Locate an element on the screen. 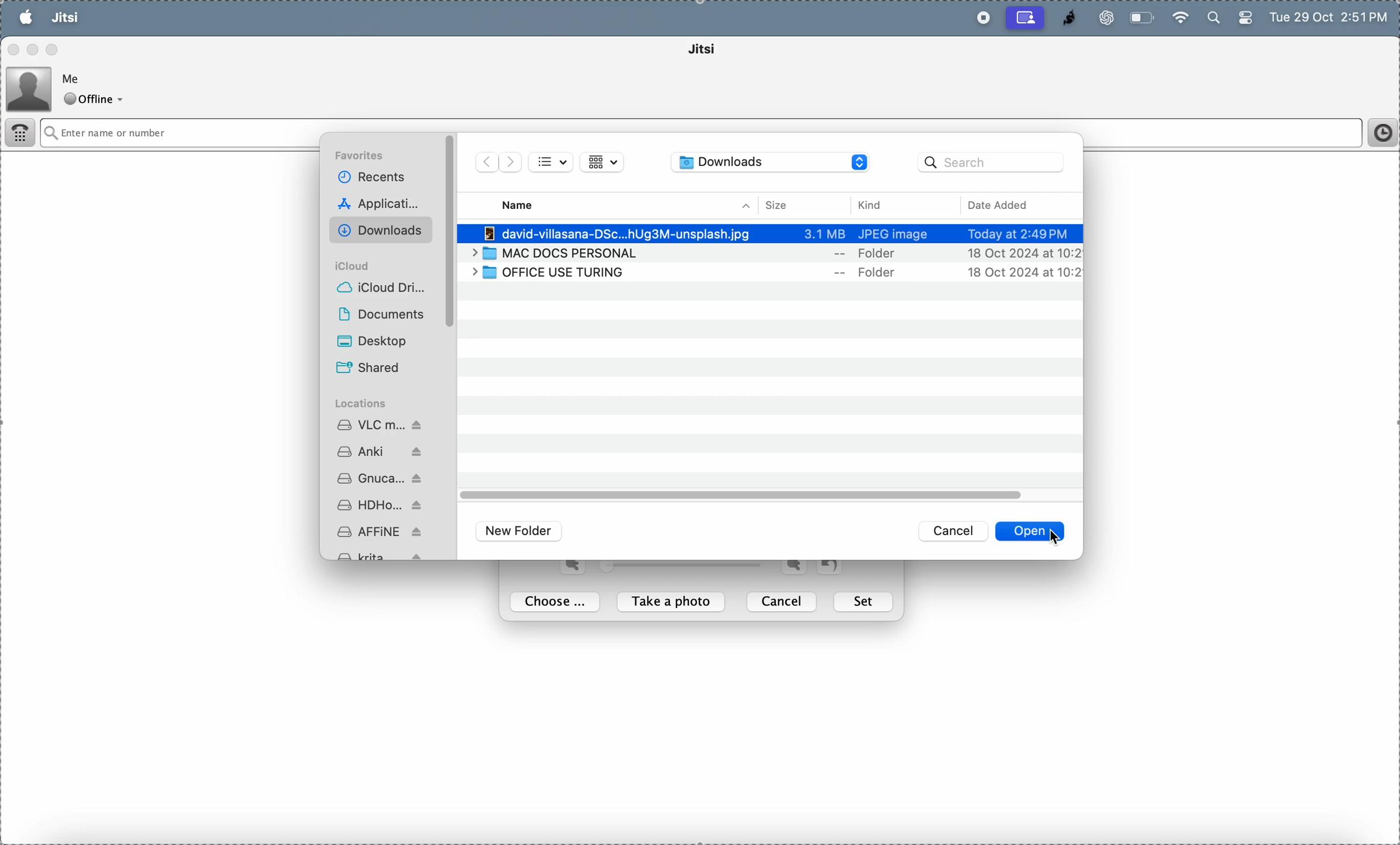  set is located at coordinates (865, 602).